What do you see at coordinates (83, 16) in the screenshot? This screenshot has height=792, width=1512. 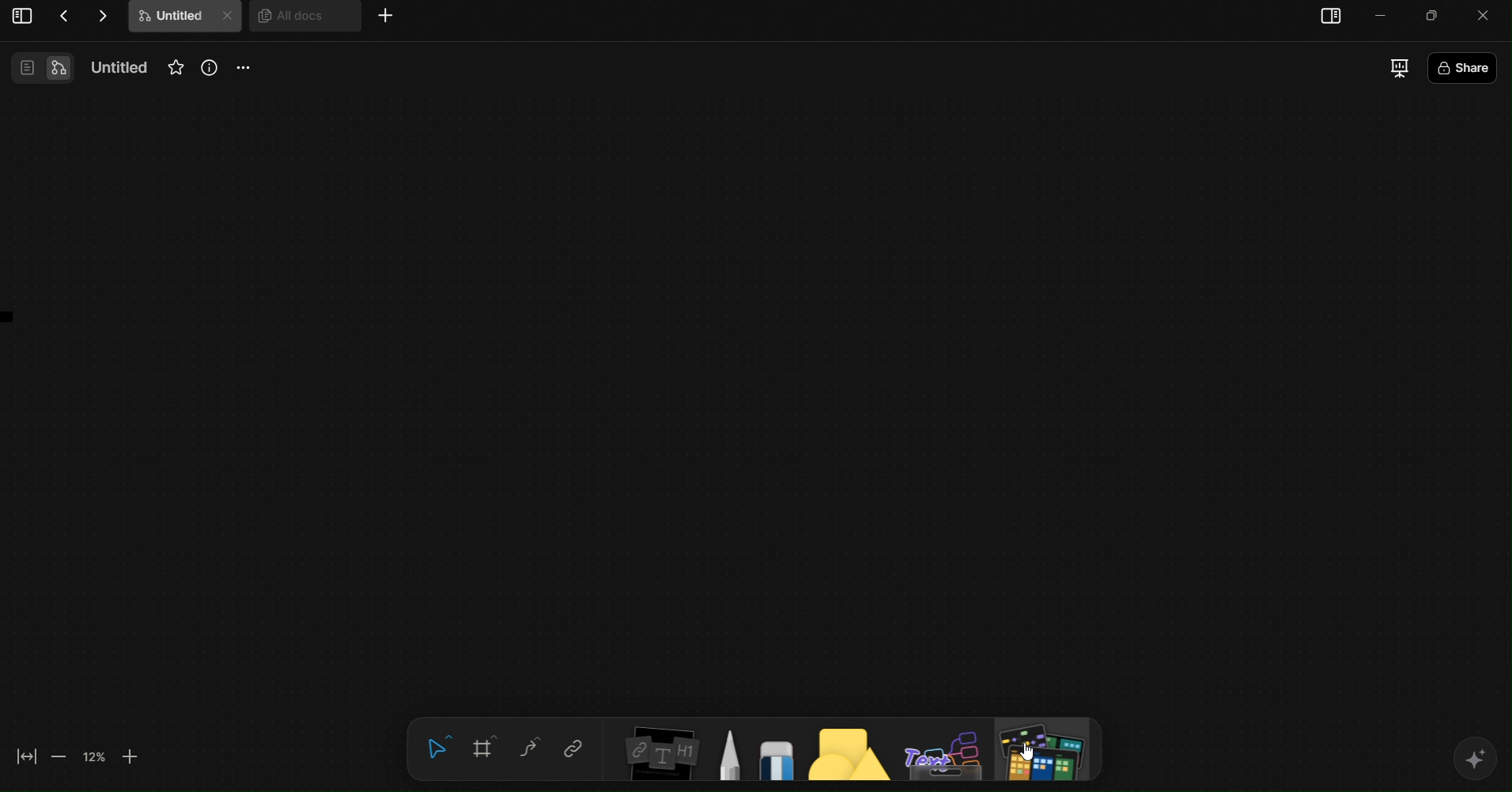 I see `Actions` at bounding box center [83, 16].